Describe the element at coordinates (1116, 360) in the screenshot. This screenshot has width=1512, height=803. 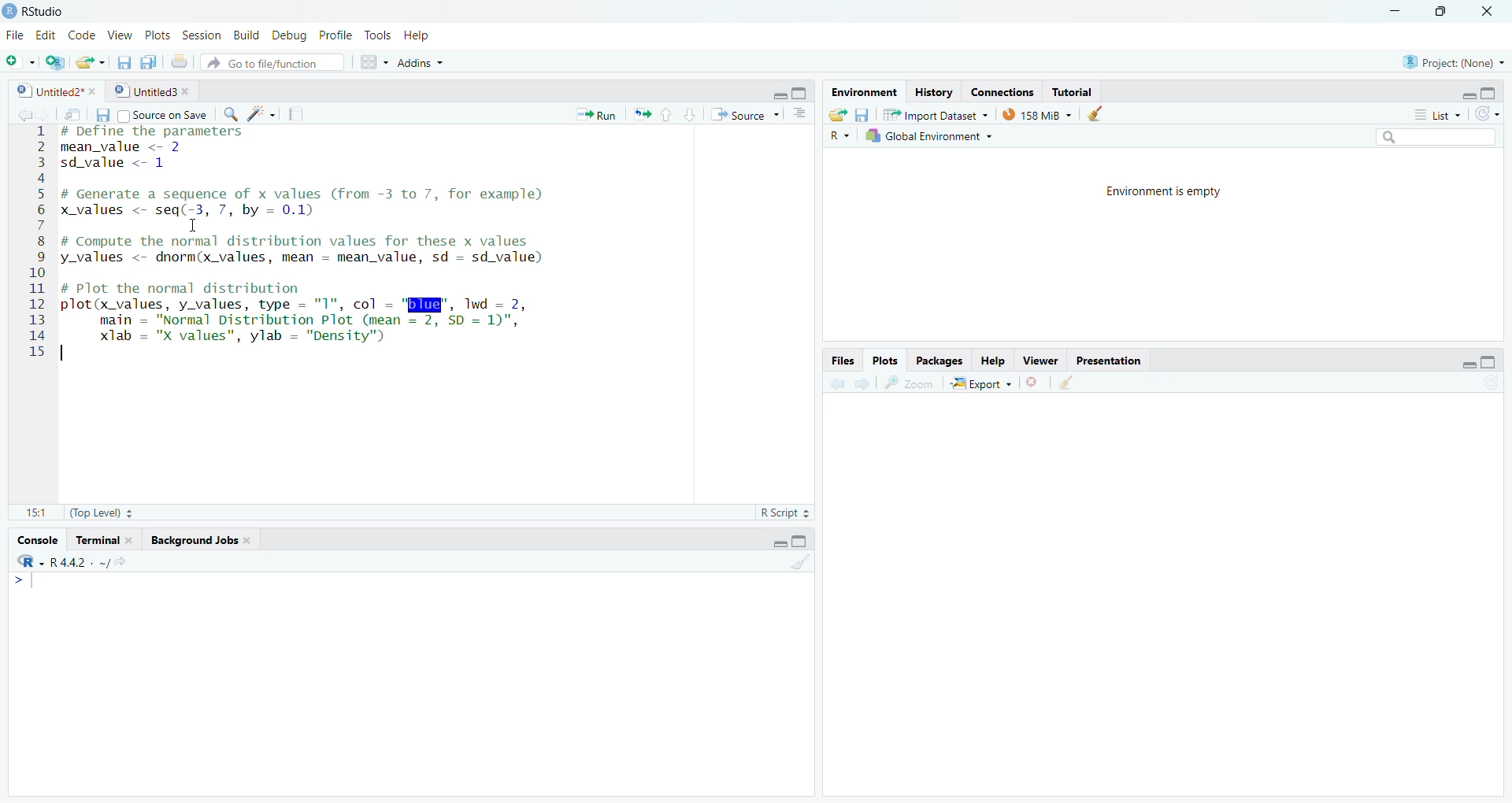
I see `Presentation` at that location.